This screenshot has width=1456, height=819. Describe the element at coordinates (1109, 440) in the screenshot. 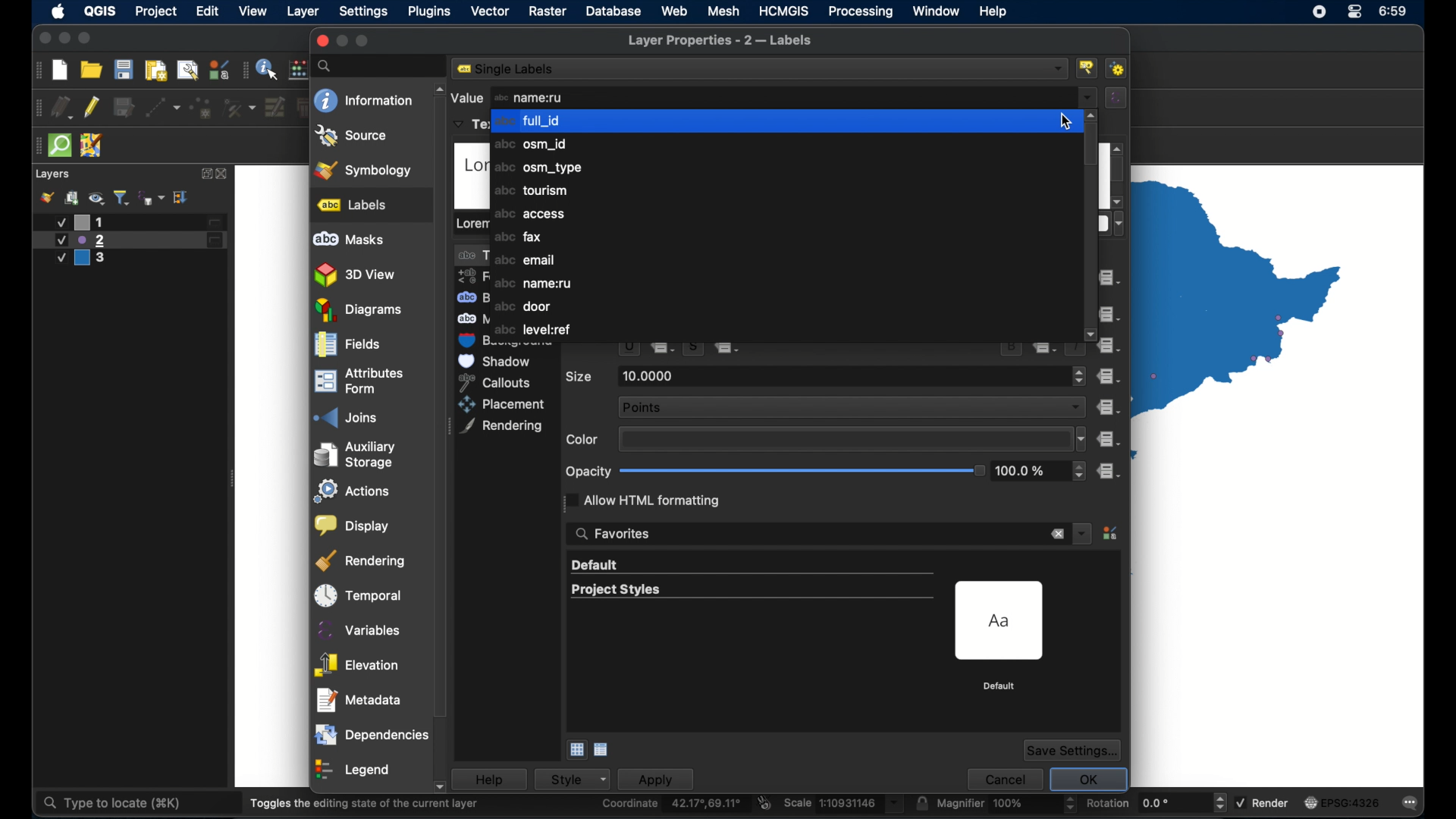

I see `data defined override` at that location.